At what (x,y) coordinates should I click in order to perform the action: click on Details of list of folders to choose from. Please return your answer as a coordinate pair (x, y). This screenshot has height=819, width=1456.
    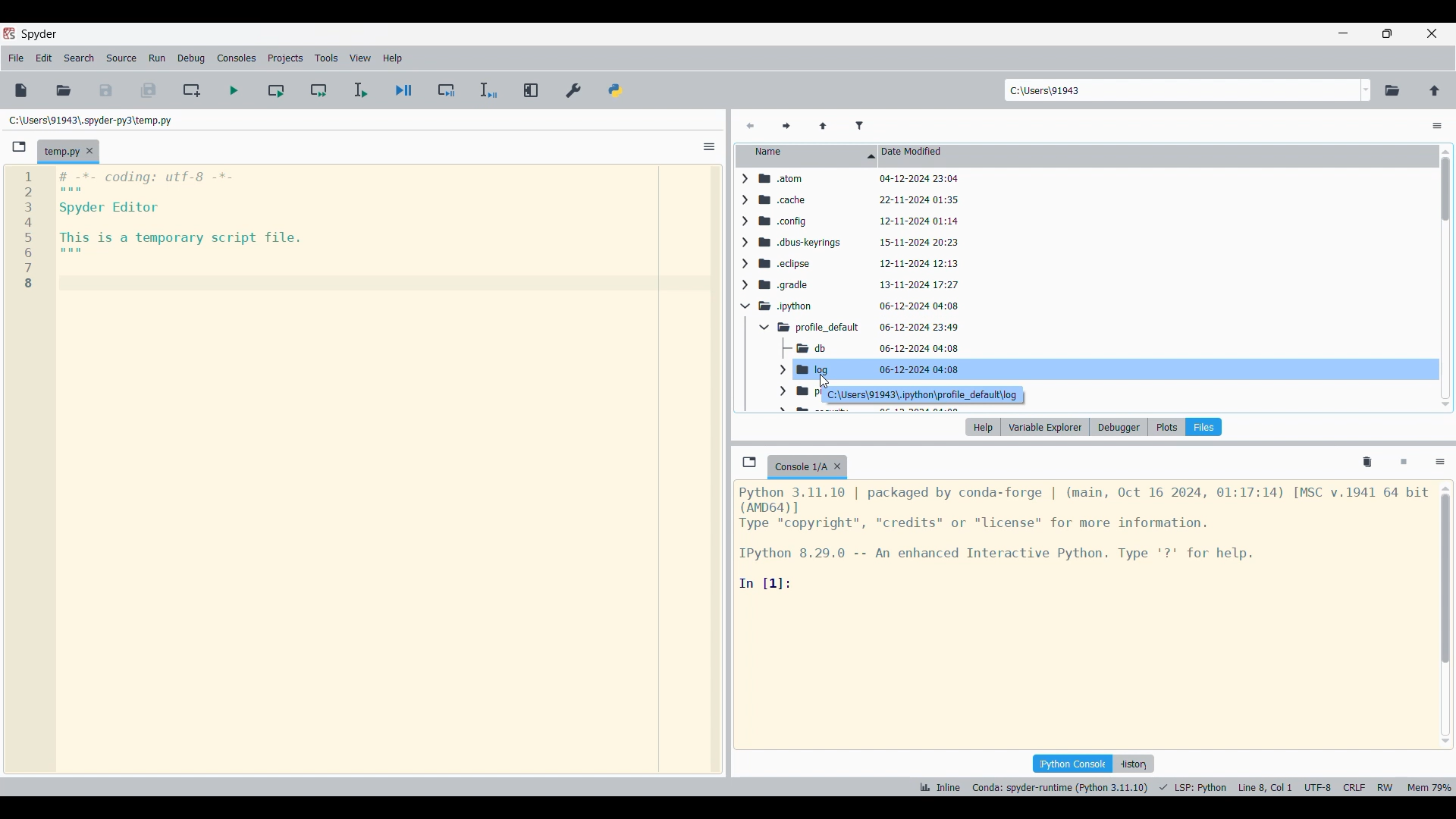
    Looking at the image, I should click on (1092, 291).